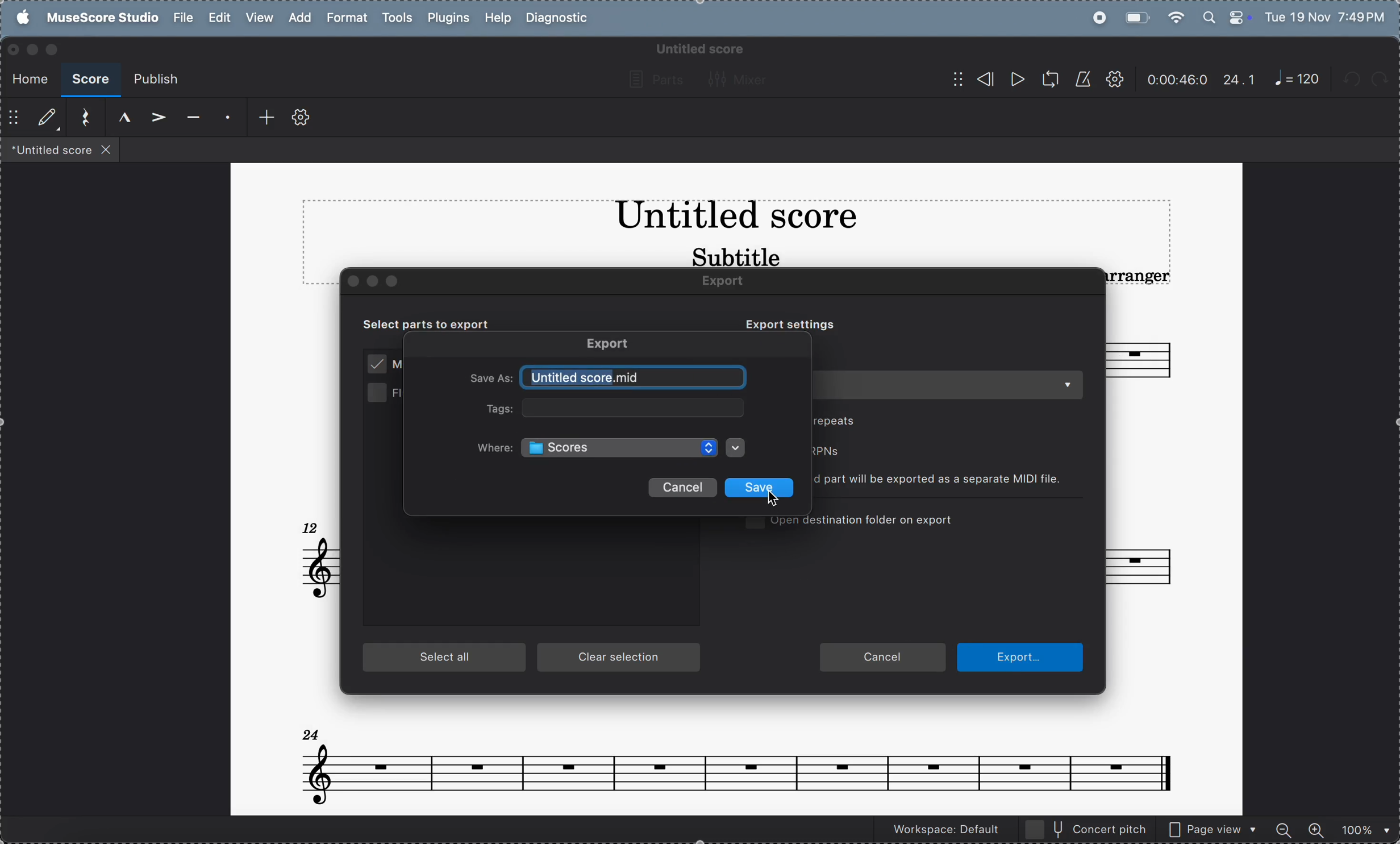 Image resolution: width=1400 pixels, height=844 pixels. What do you see at coordinates (1326, 16) in the screenshot?
I see `date and time` at bounding box center [1326, 16].